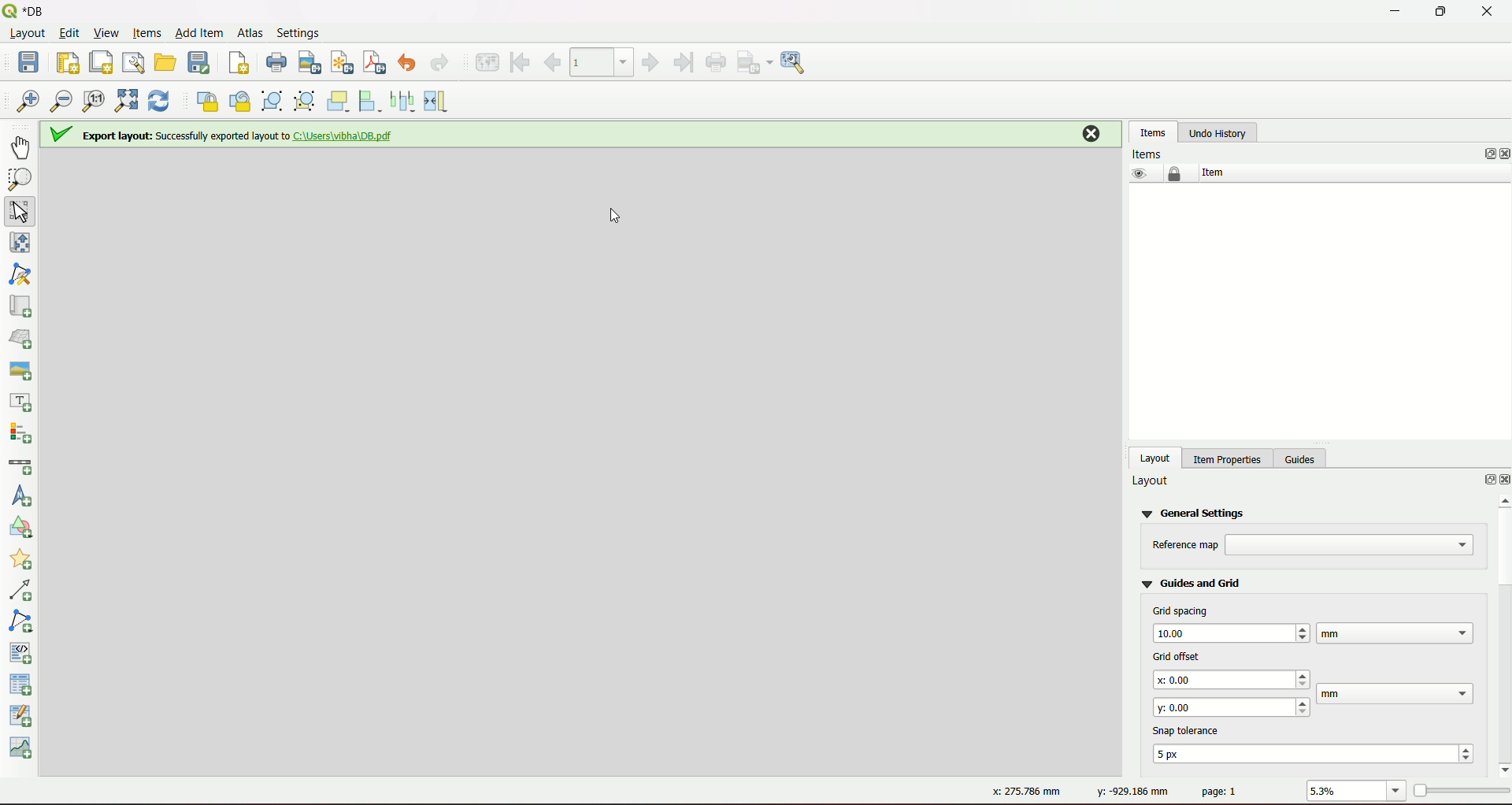 This screenshot has height=805, width=1512. What do you see at coordinates (554, 62) in the screenshot?
I see `previous feature` at bounding box center [554, 62].